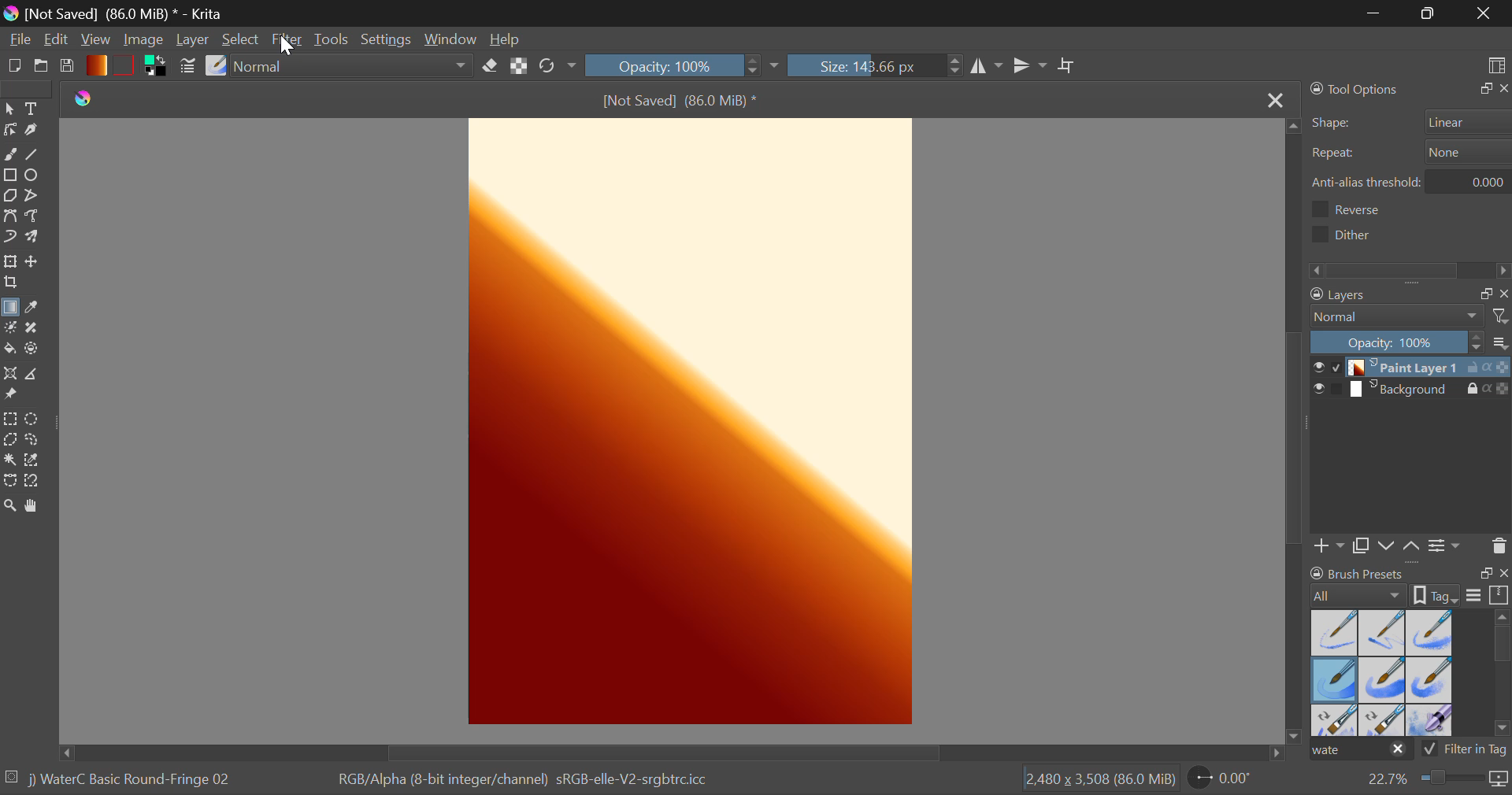 This screenshot has width=1512, height=795. I want to click on copy, so click(1360, 547).